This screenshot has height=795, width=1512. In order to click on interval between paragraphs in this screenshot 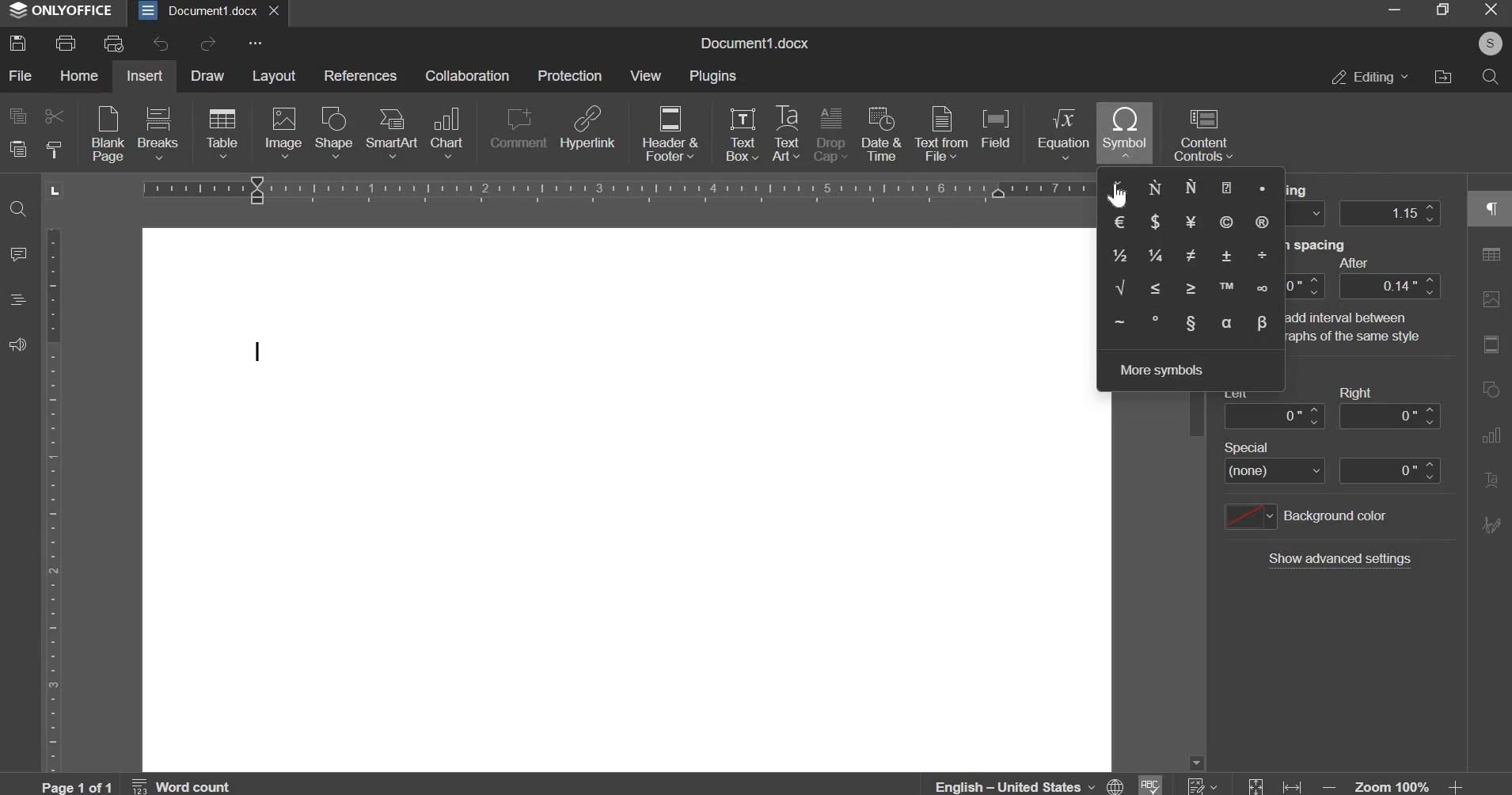, I will do `click(1231, 318)`.